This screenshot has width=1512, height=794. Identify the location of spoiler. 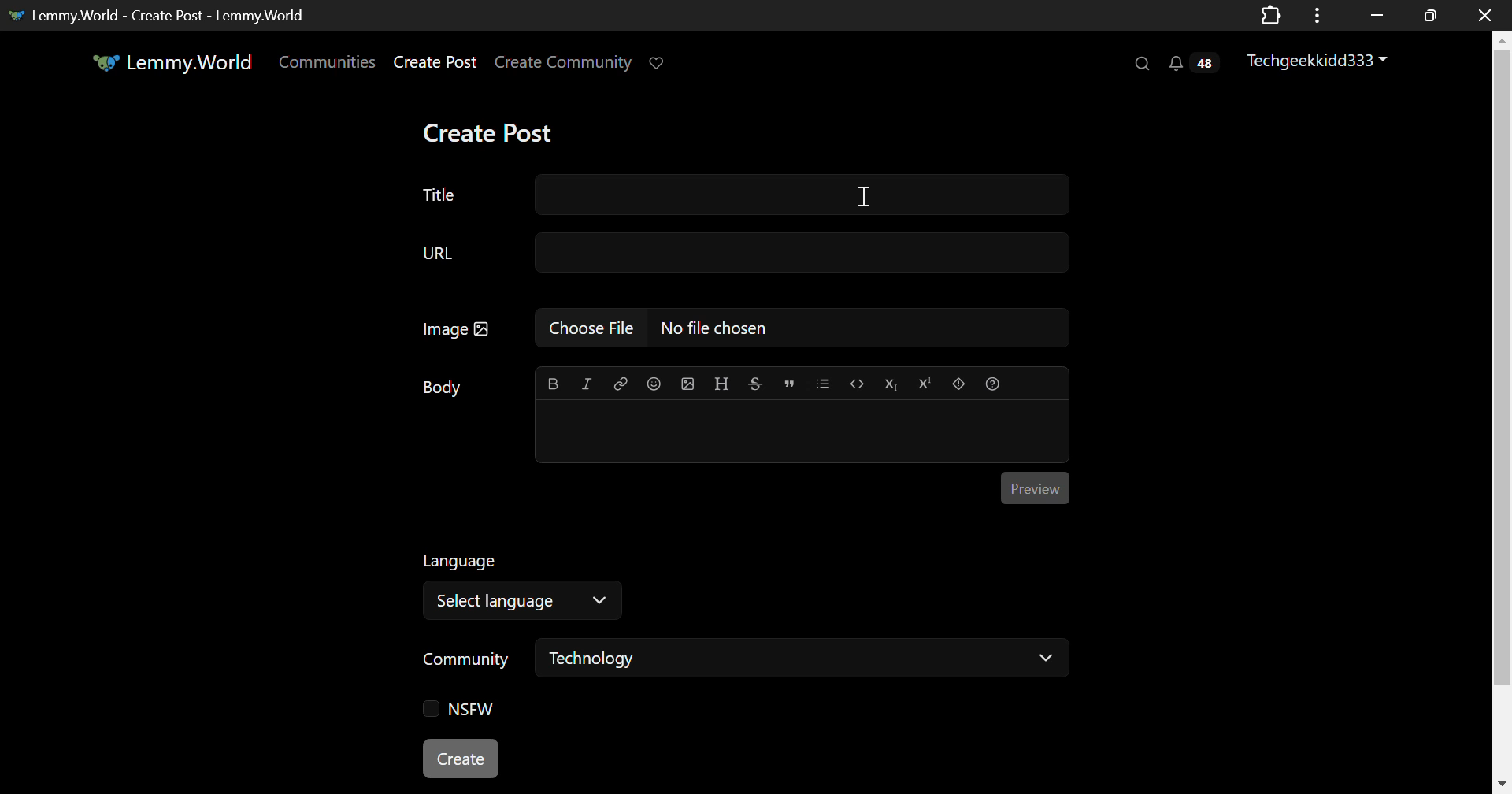
(956, 383).